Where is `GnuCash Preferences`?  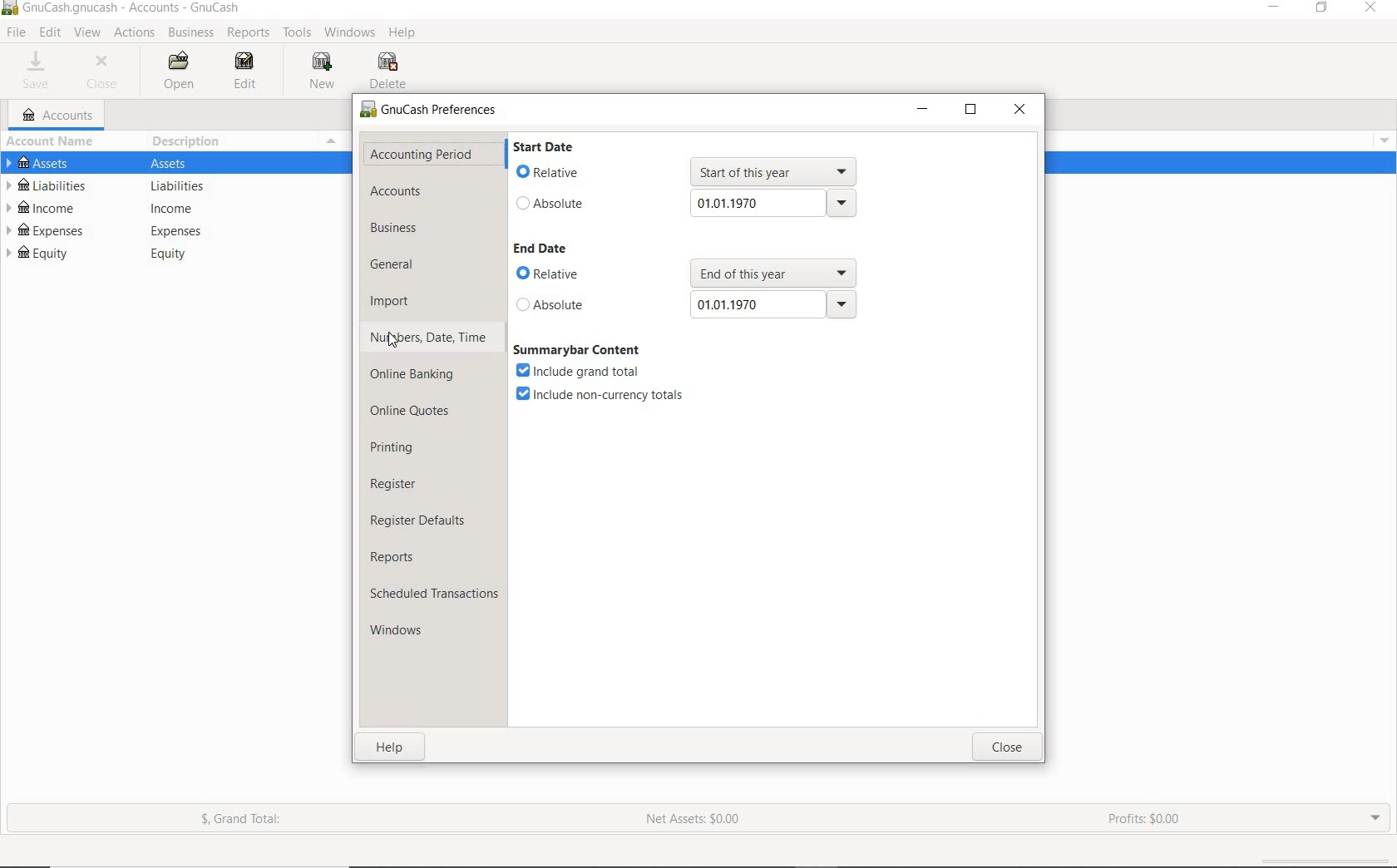 GnuCash Preferences is located at coordinates (430, 111).